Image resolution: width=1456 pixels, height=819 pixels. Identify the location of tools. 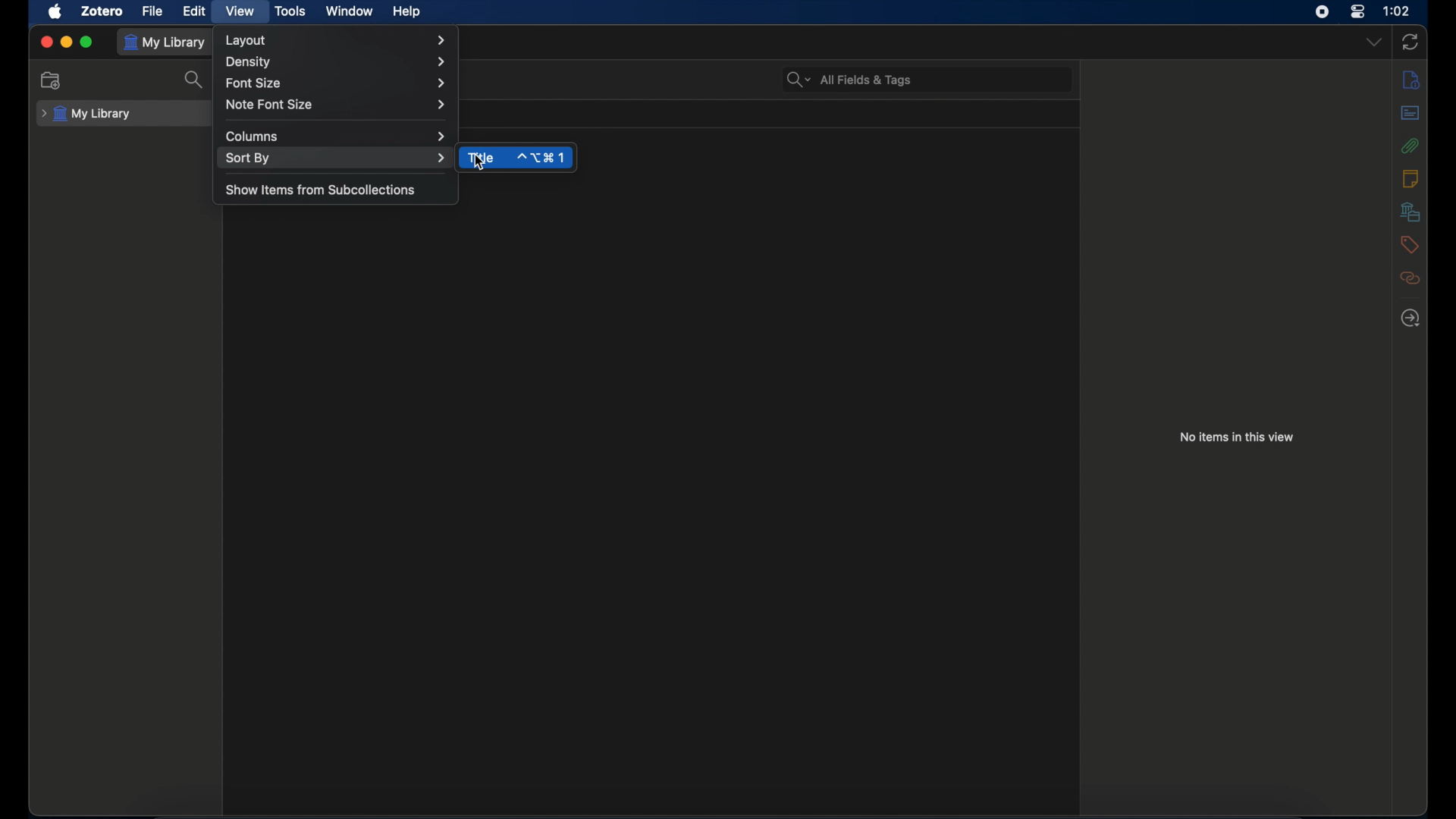
(290, 11).